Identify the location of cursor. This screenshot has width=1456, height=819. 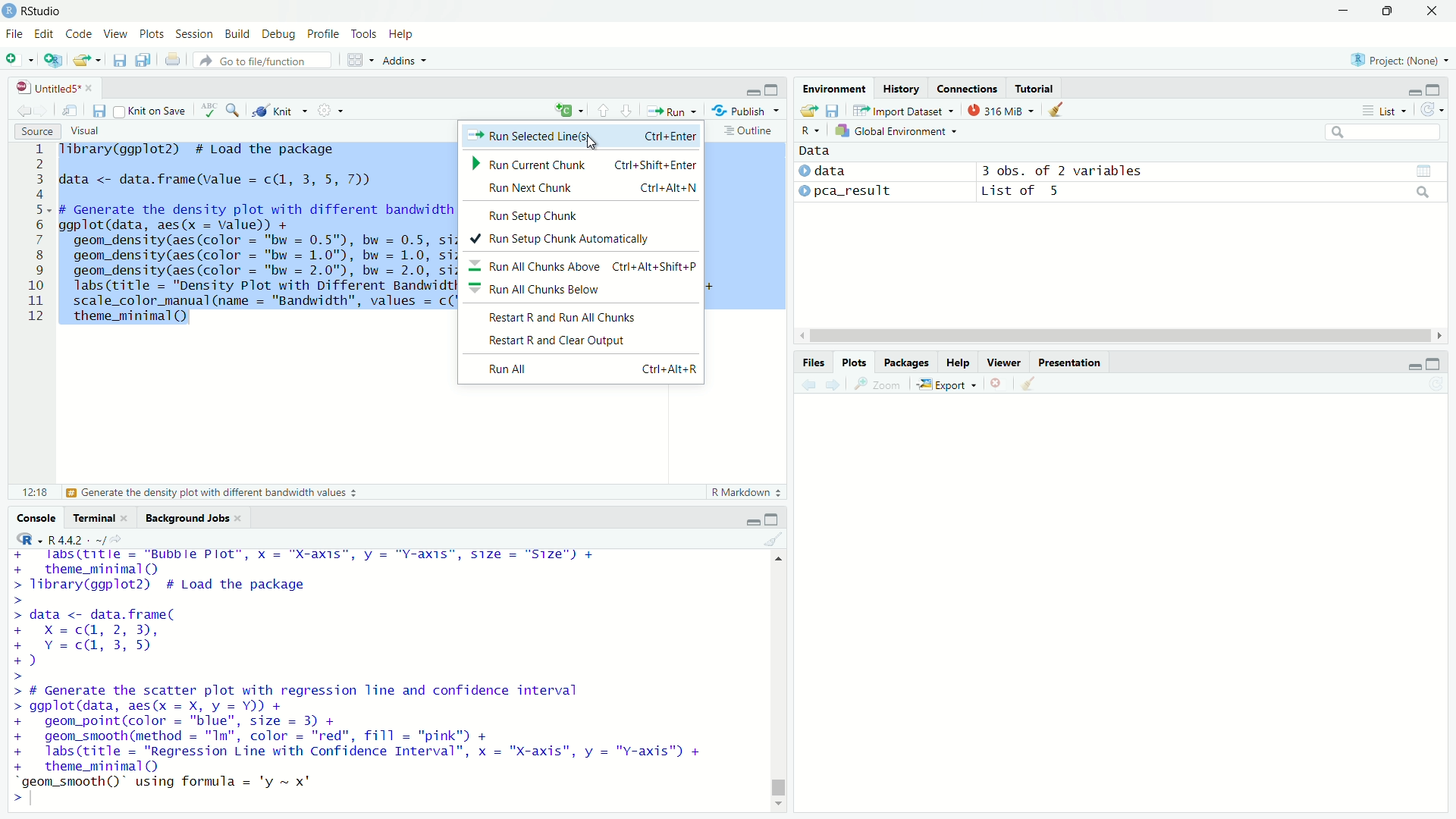
(591, 142).